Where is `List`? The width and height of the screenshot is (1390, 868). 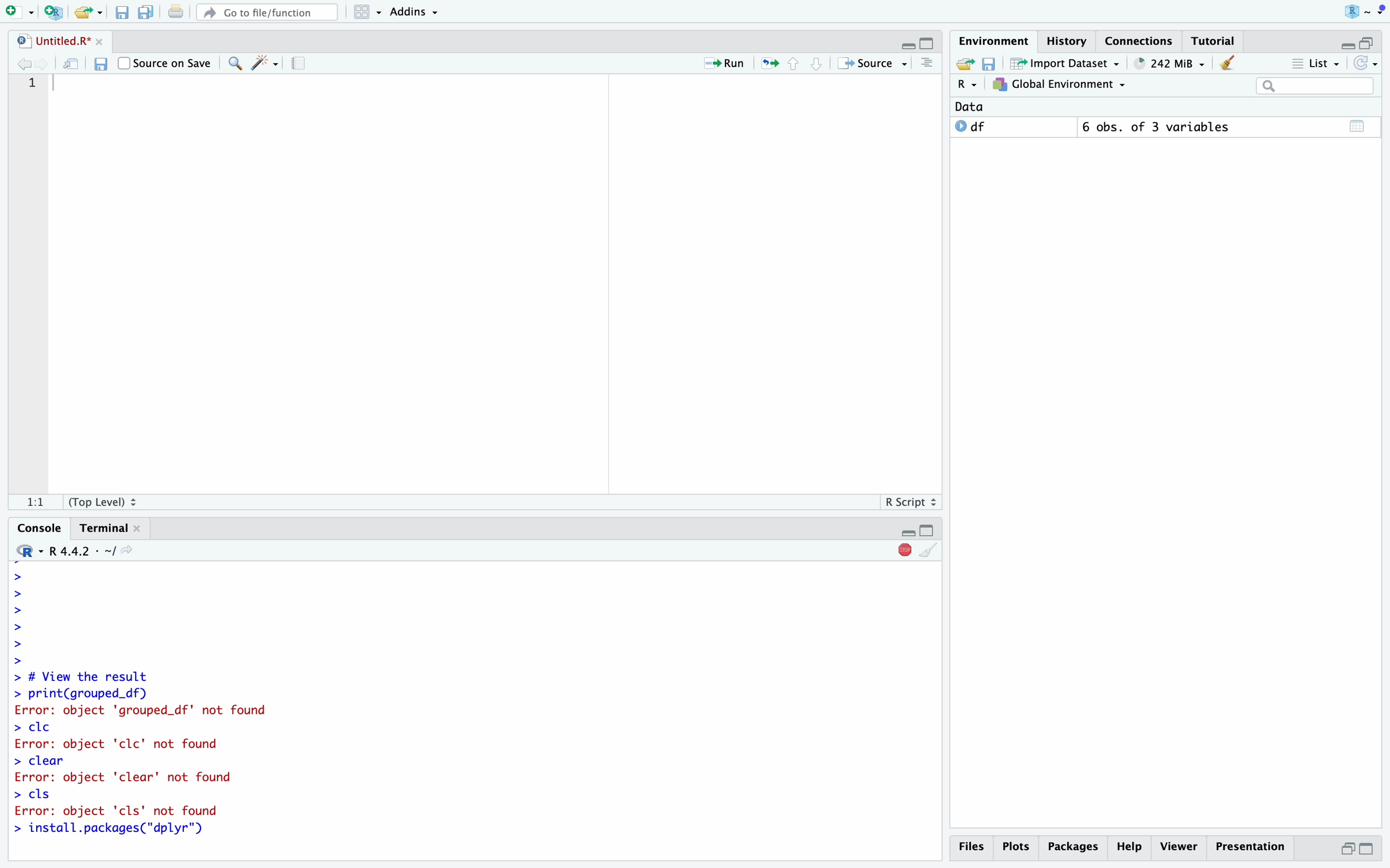
List is located at coordinates (1315, 63).